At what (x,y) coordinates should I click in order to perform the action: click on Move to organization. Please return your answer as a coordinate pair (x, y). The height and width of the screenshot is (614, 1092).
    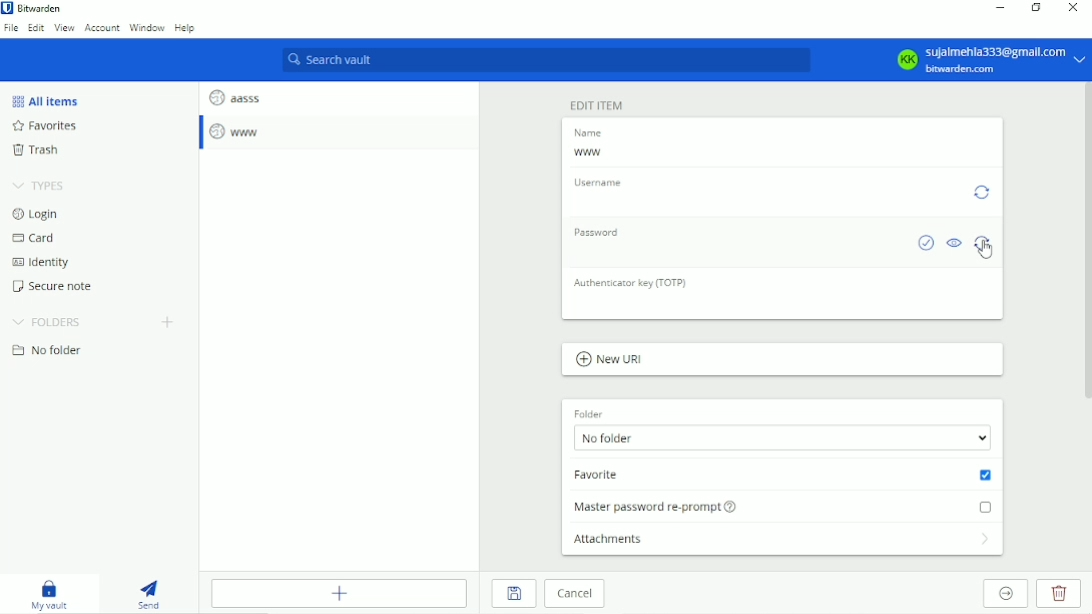
    Looking at the image, I should click on (1008, 594).